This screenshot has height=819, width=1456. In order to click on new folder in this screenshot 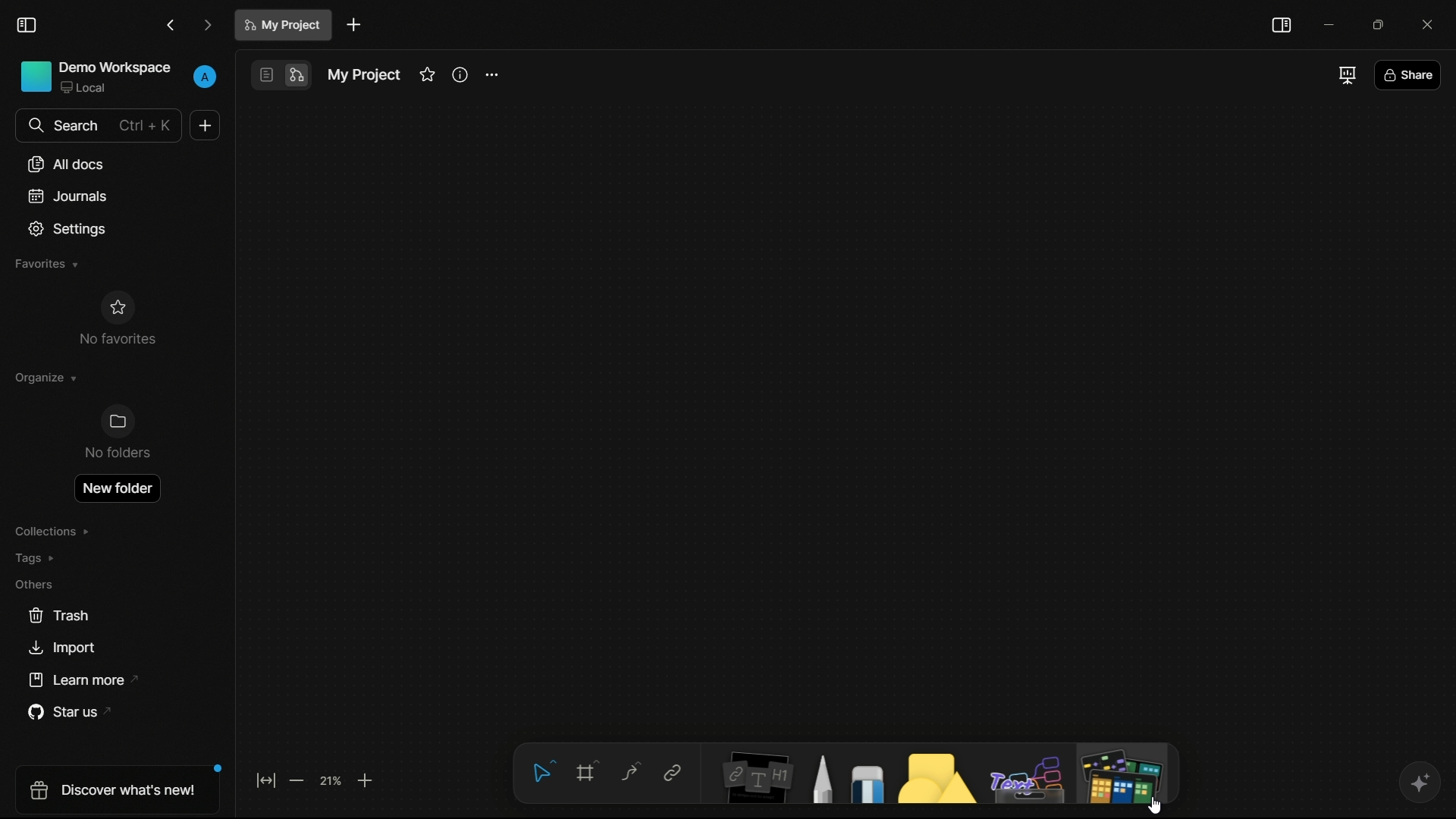, I will do `click(119, 486)`.